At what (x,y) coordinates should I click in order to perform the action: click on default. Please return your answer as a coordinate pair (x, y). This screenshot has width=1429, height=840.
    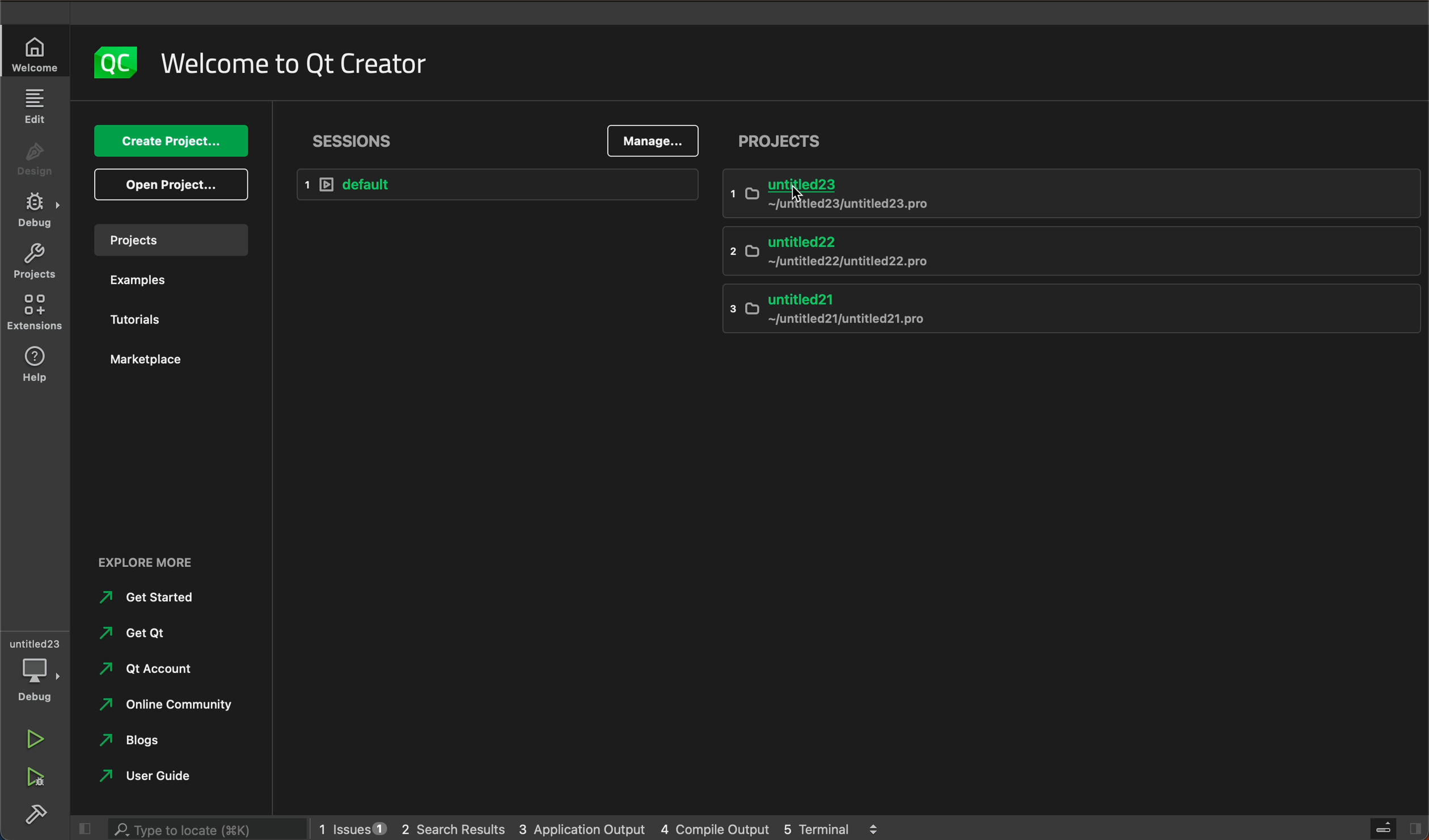
    Looking at the image, I should click on (498, 183).